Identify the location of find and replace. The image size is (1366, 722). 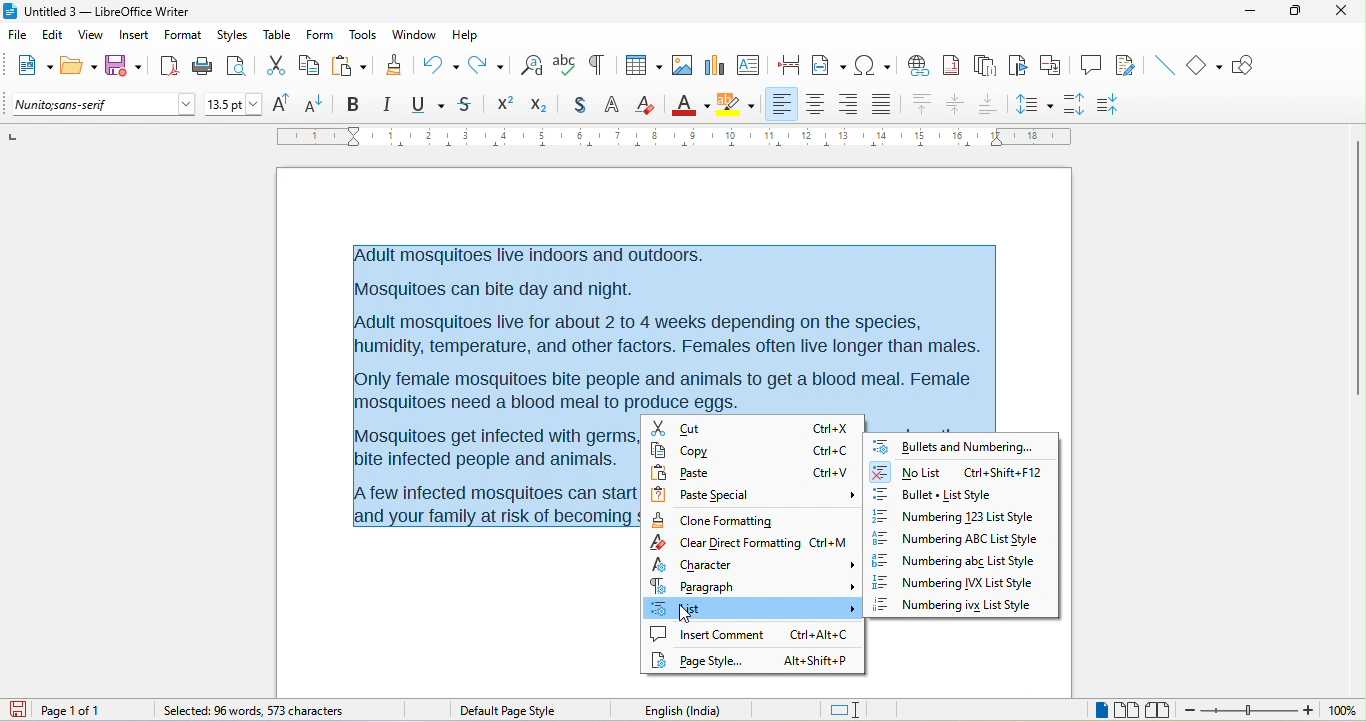
(532, 63).